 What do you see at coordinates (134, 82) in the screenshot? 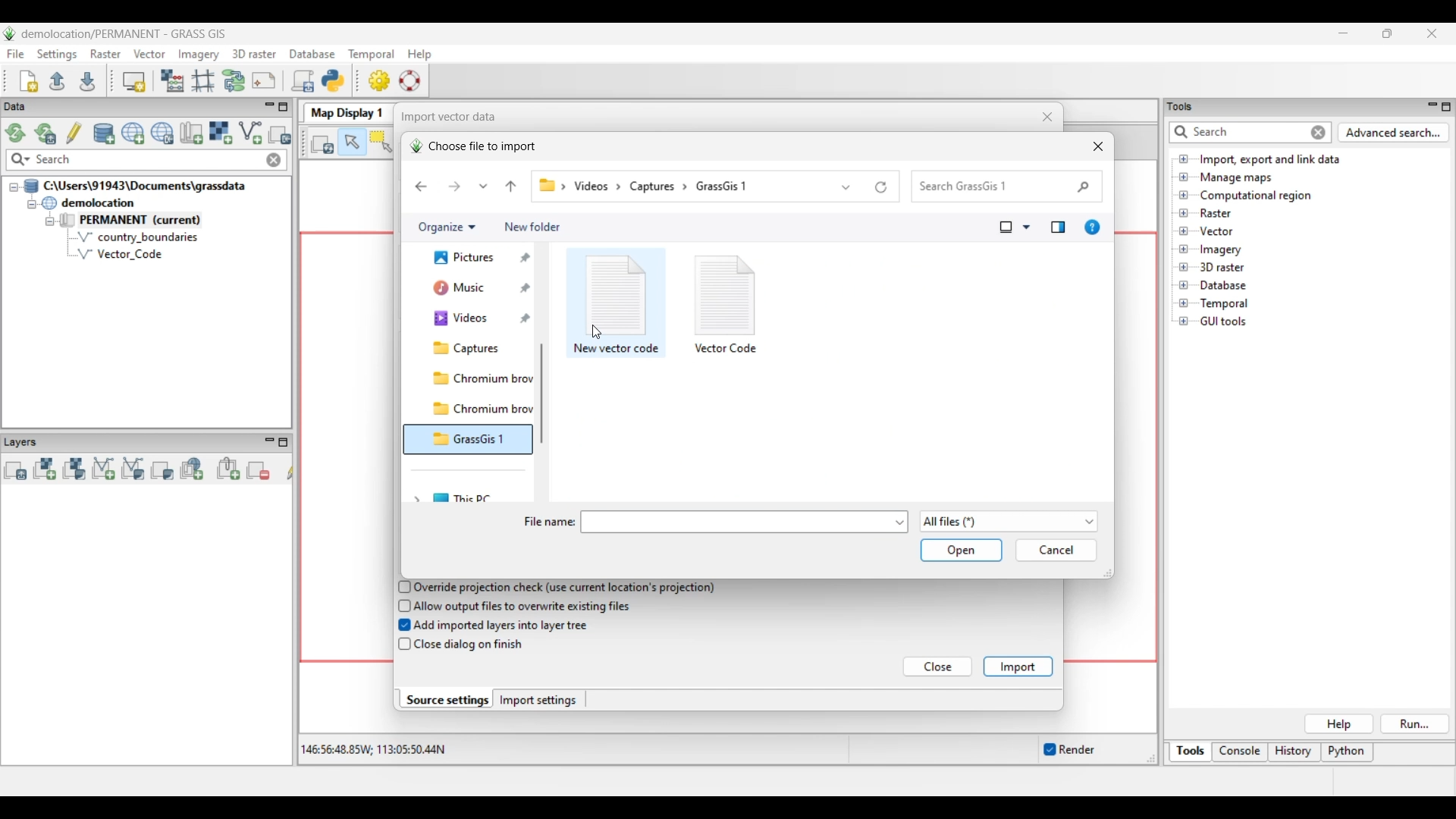
I see `Start new map display` at bounding box center [134, 82].